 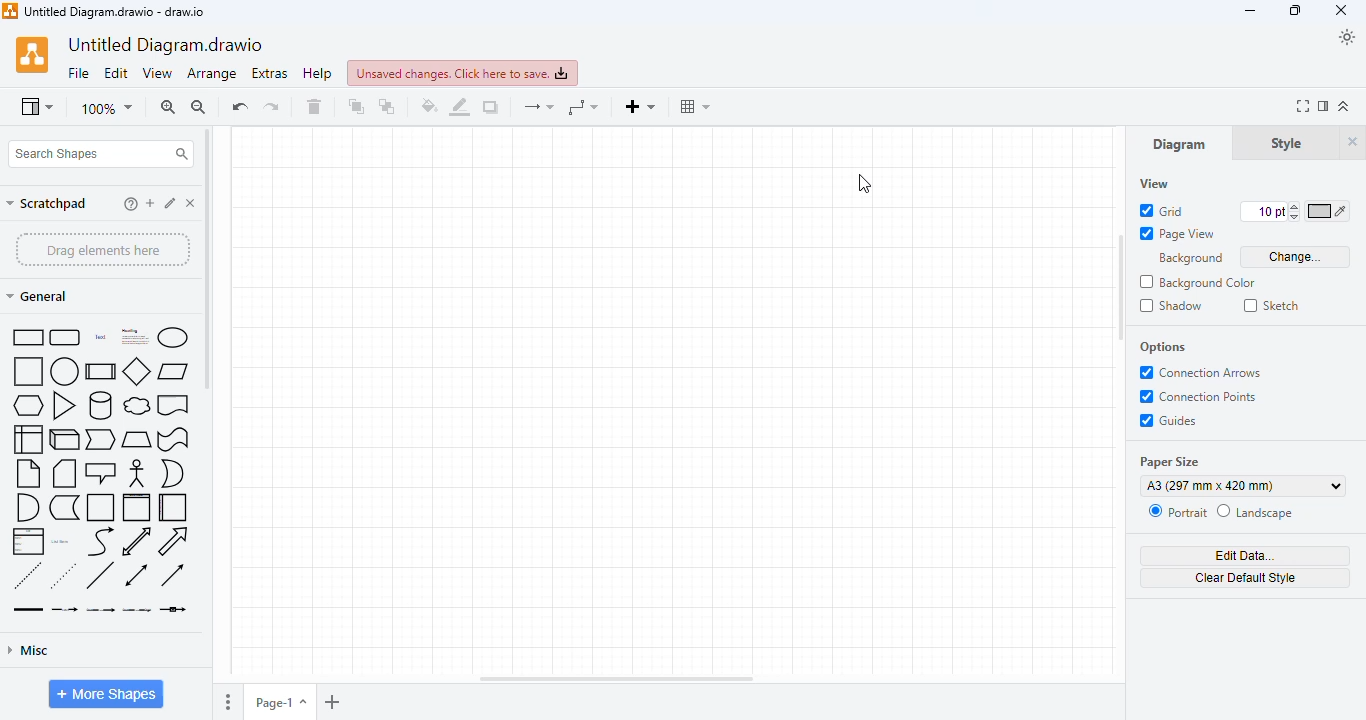 What do you see at coordinates (388, 106) in the screenshot?
I see `to back` at bounding box center [388, 106].